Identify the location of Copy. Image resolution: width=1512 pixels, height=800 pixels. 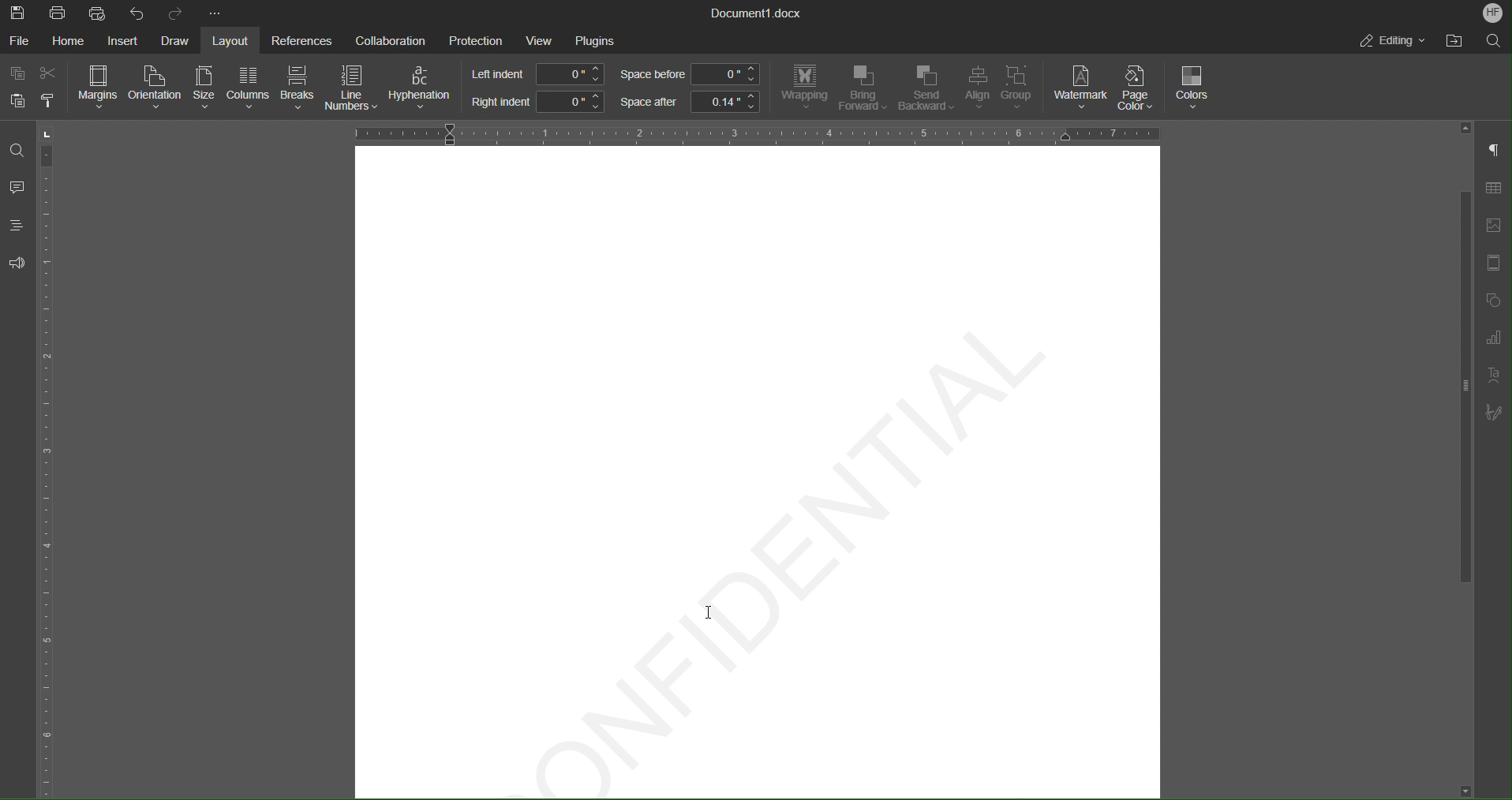
(19, 74).